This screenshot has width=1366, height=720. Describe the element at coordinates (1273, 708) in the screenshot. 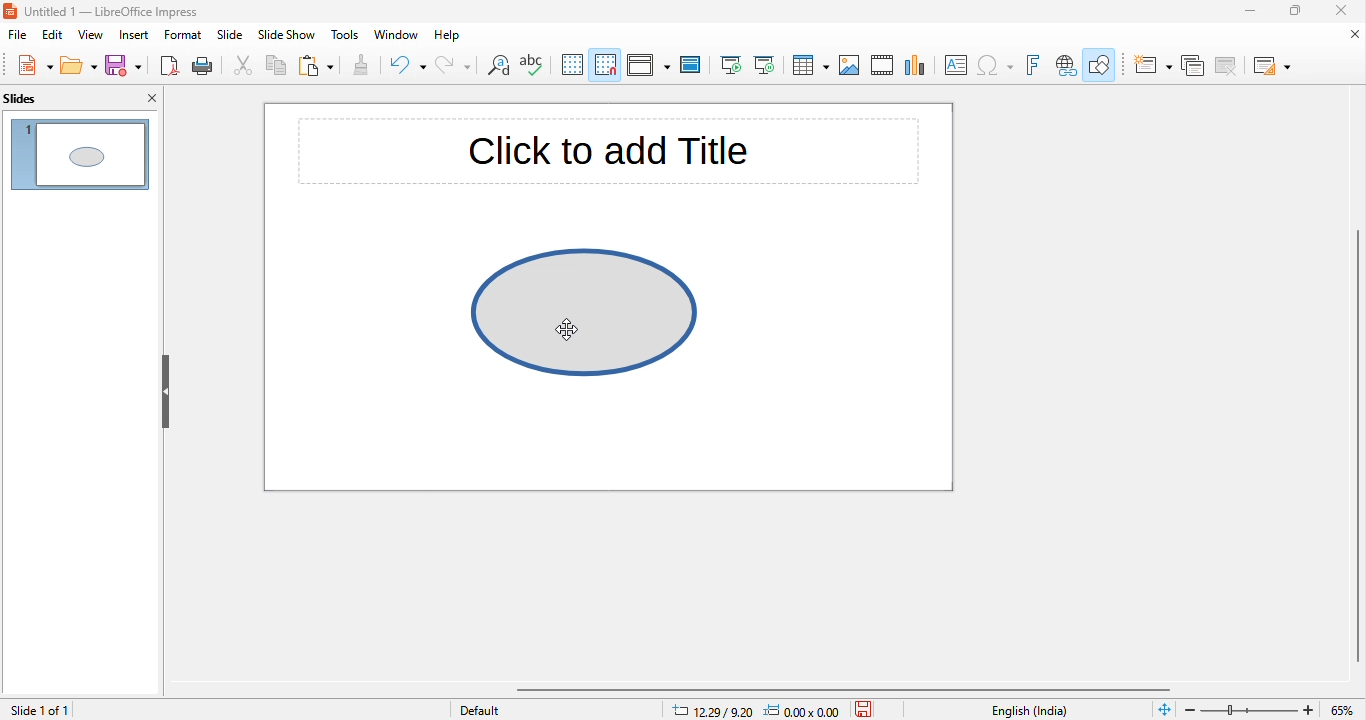

I see `zoom` at that location.